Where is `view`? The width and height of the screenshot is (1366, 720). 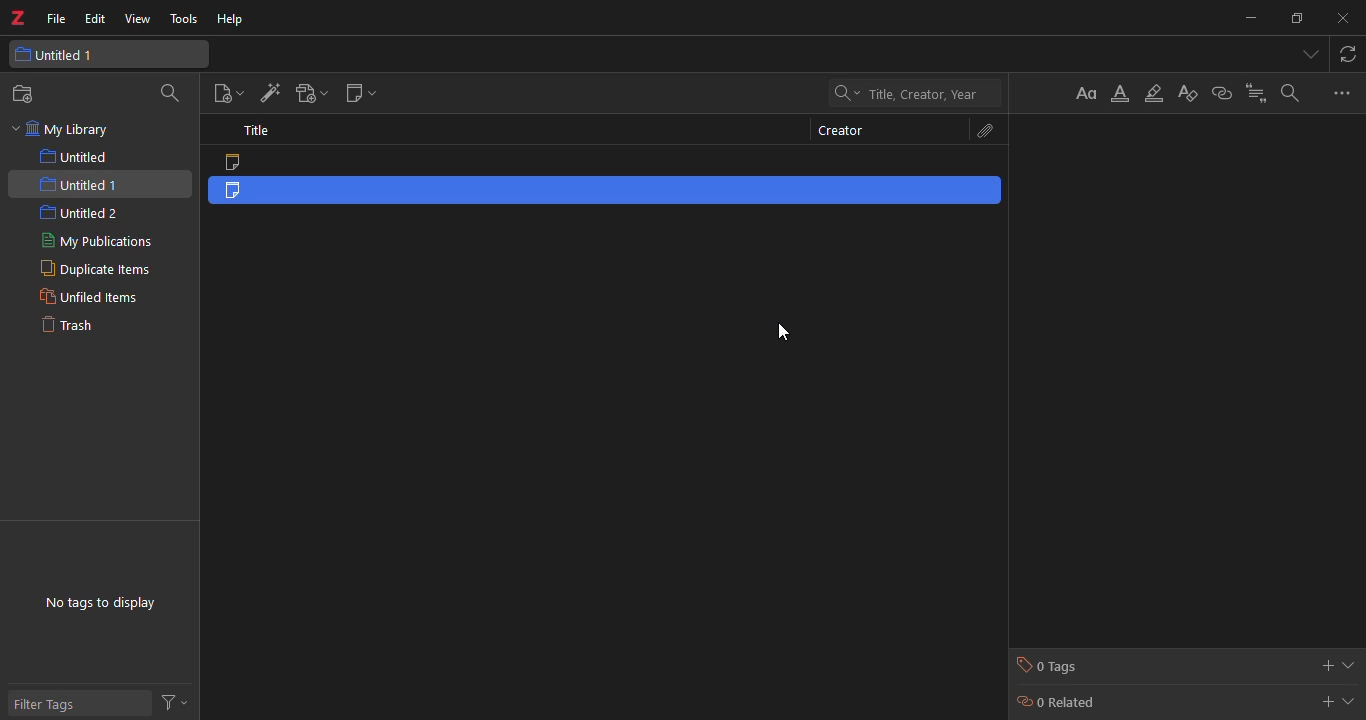 view is located at coordinates (135, 20).